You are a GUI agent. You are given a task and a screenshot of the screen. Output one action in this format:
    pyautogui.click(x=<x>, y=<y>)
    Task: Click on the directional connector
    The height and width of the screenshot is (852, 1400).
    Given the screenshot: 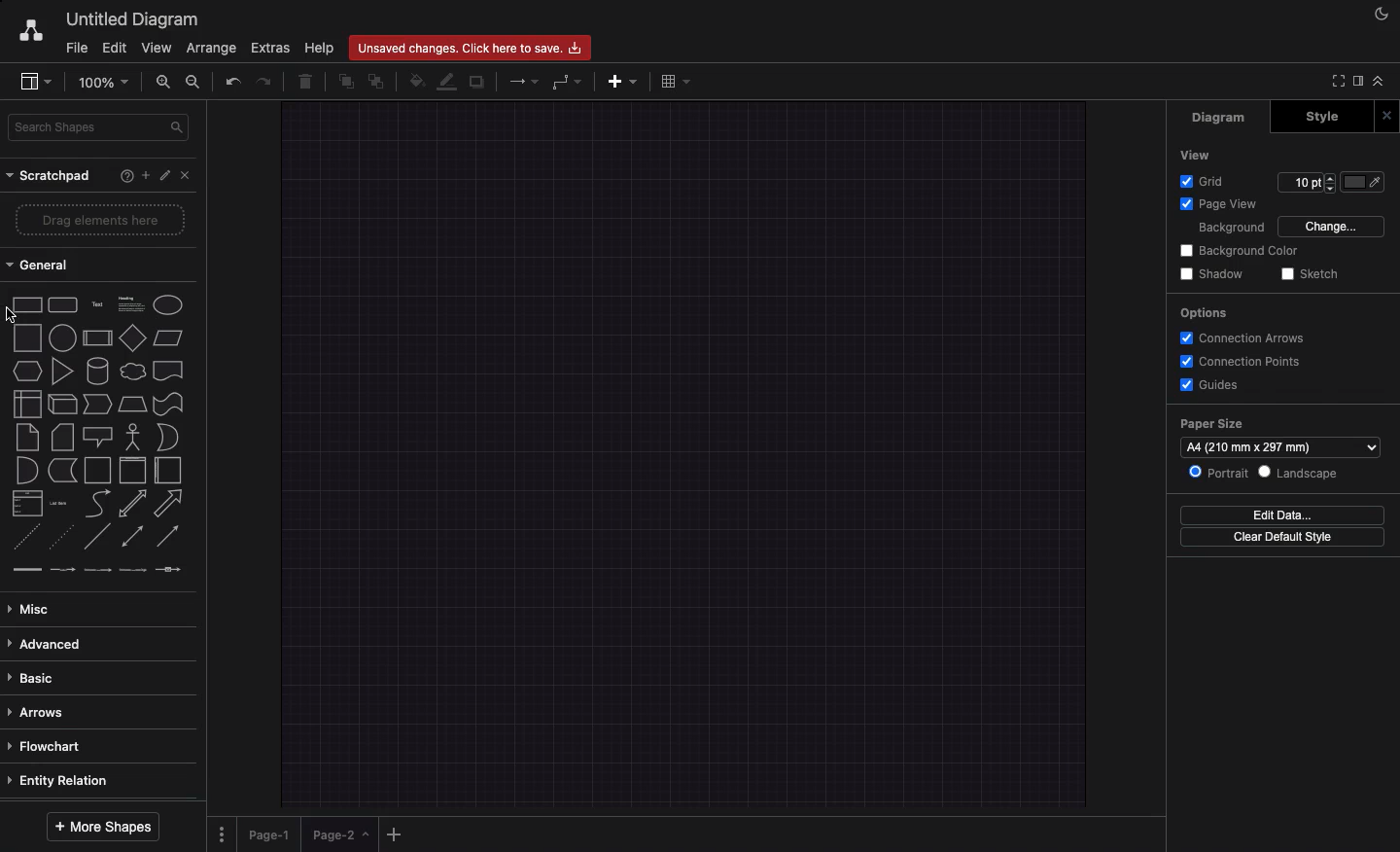 What is the action you would take?
    pyautogui.click(x=170, y=538)
    